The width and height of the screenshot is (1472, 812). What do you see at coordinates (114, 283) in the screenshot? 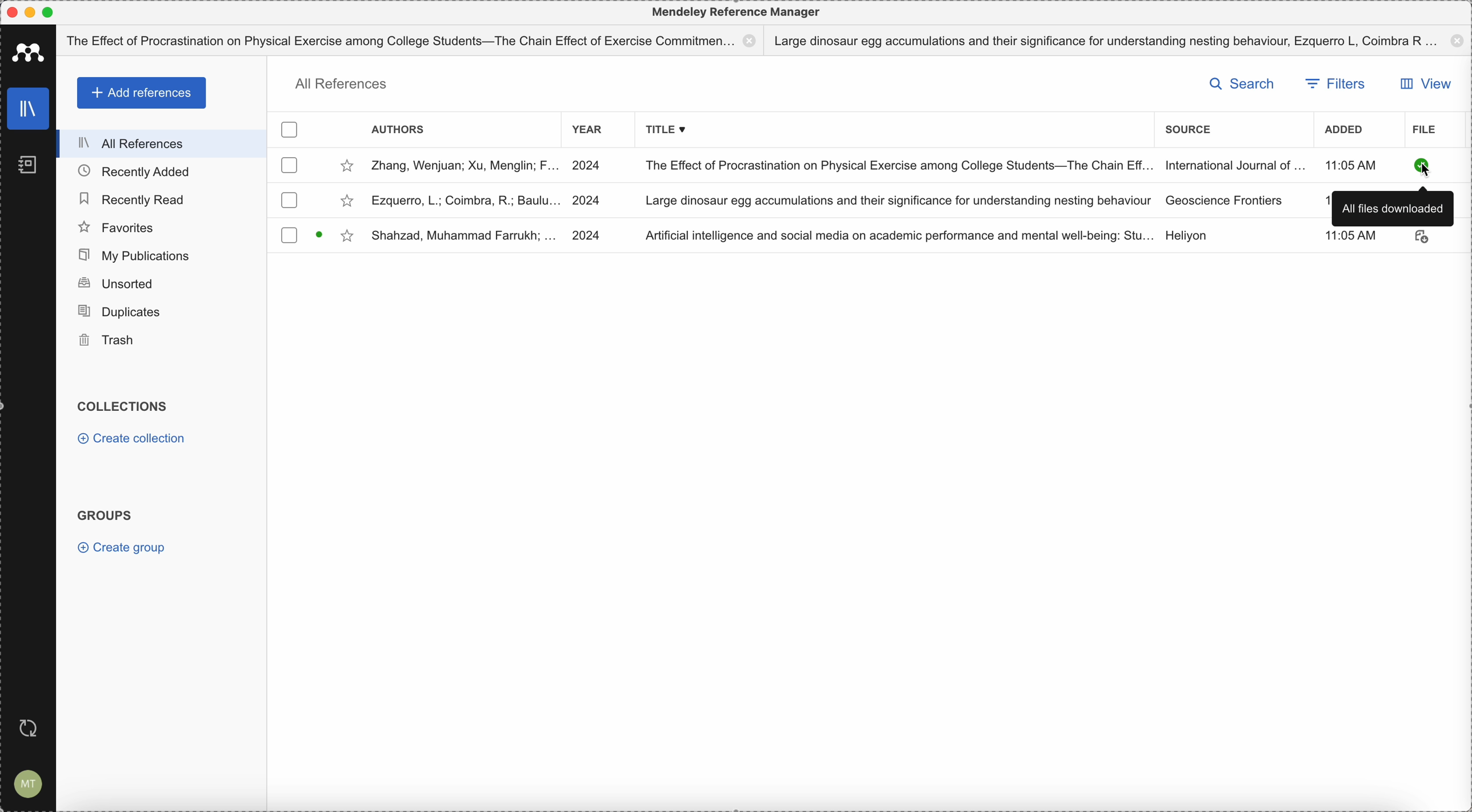
I see `unsorted` at bounding box center [114, 283].